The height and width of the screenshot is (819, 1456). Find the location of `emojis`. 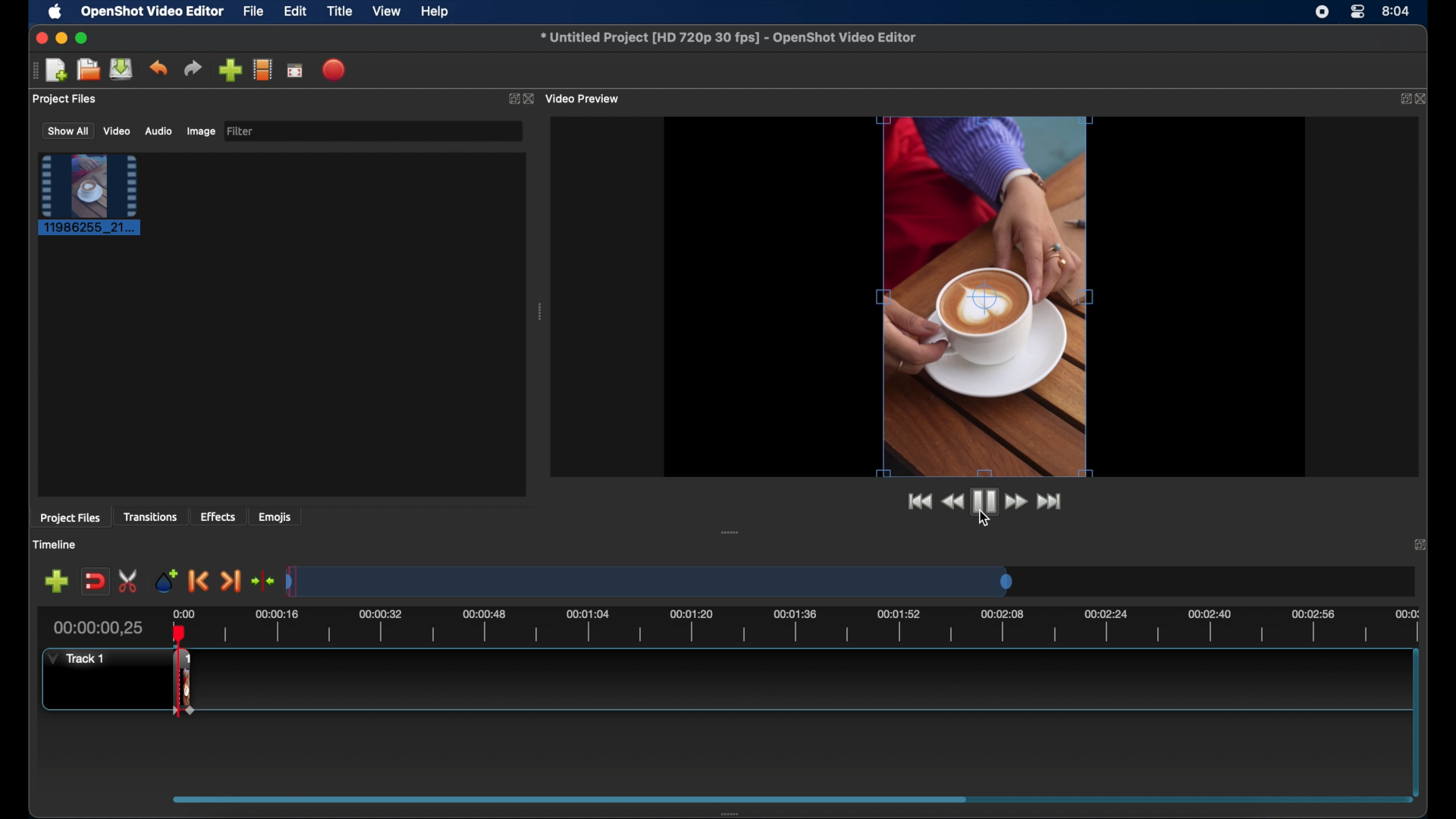

emojis is located at coordinates (275, 518).